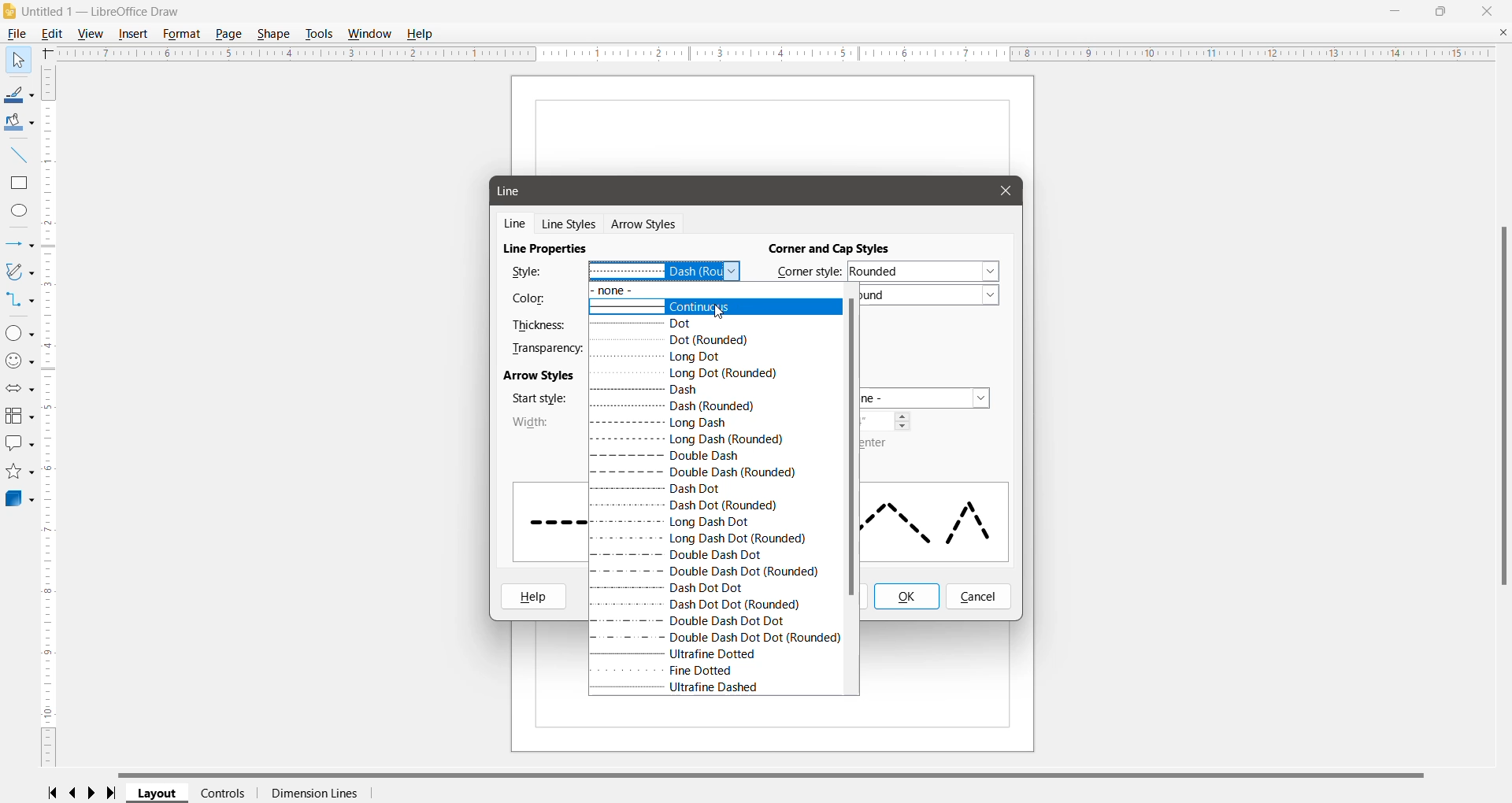 The height and width of the screenshot is (803, 1512). Describe the element at coordinates (547, 348) in the screenshot. I see `Transparency` at that location.